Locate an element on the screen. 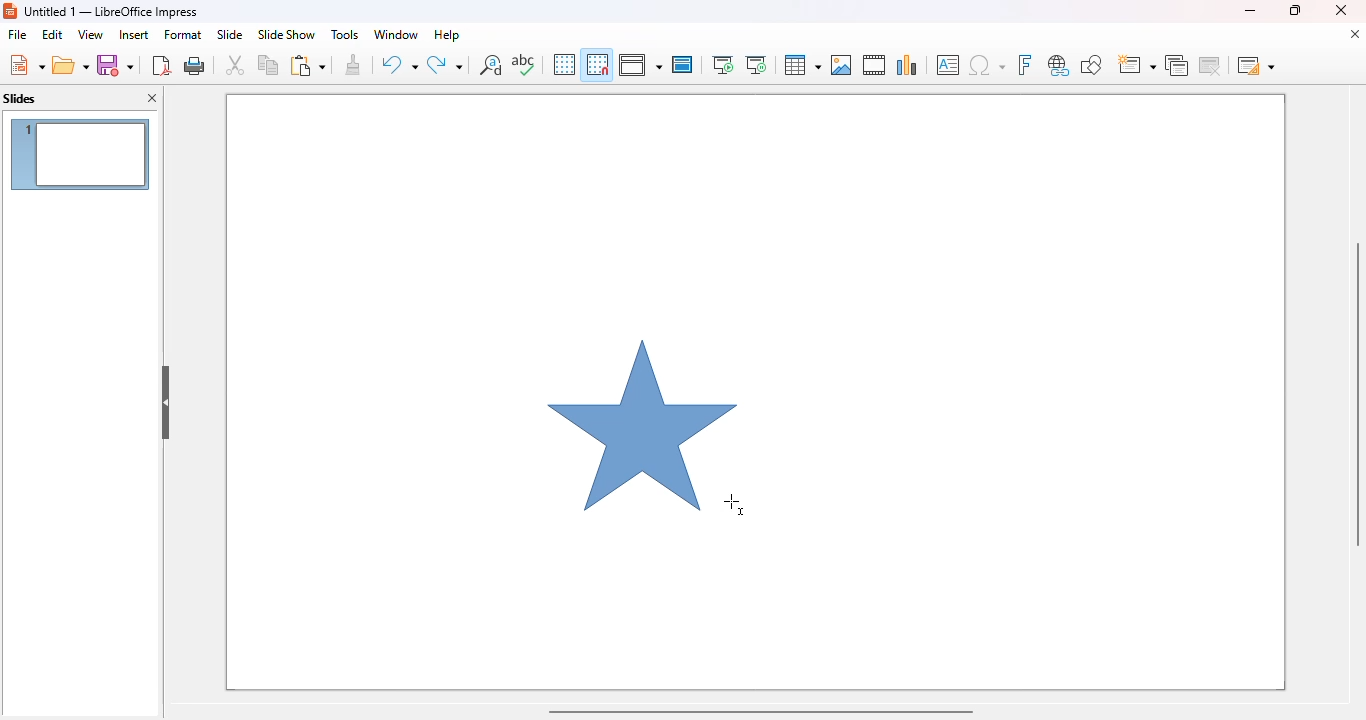 This screenshot has width=1366, height=720. show draw functions is located at coordinates (1090, 64).